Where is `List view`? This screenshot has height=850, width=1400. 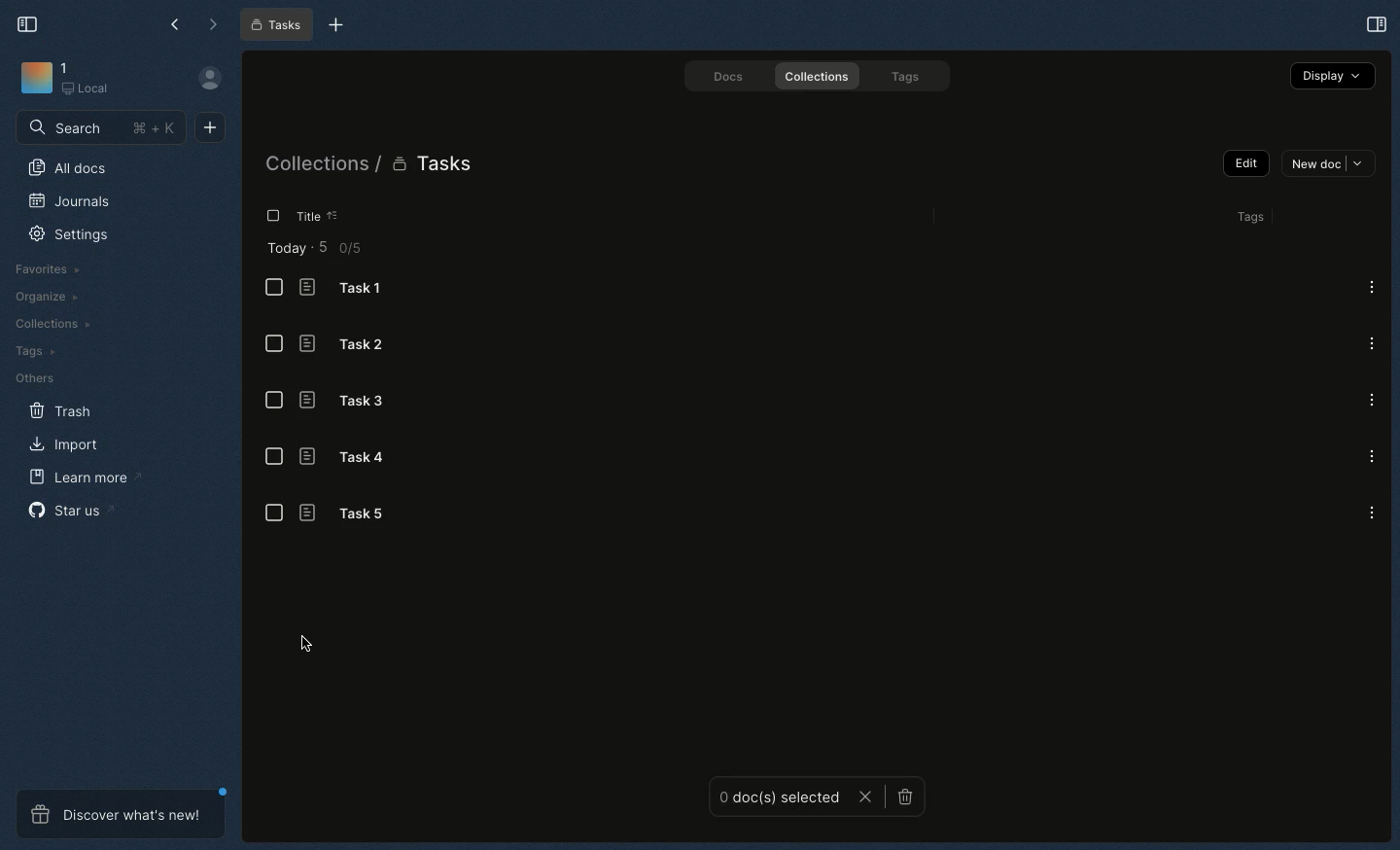 List view is located at coordinates (273, 460).